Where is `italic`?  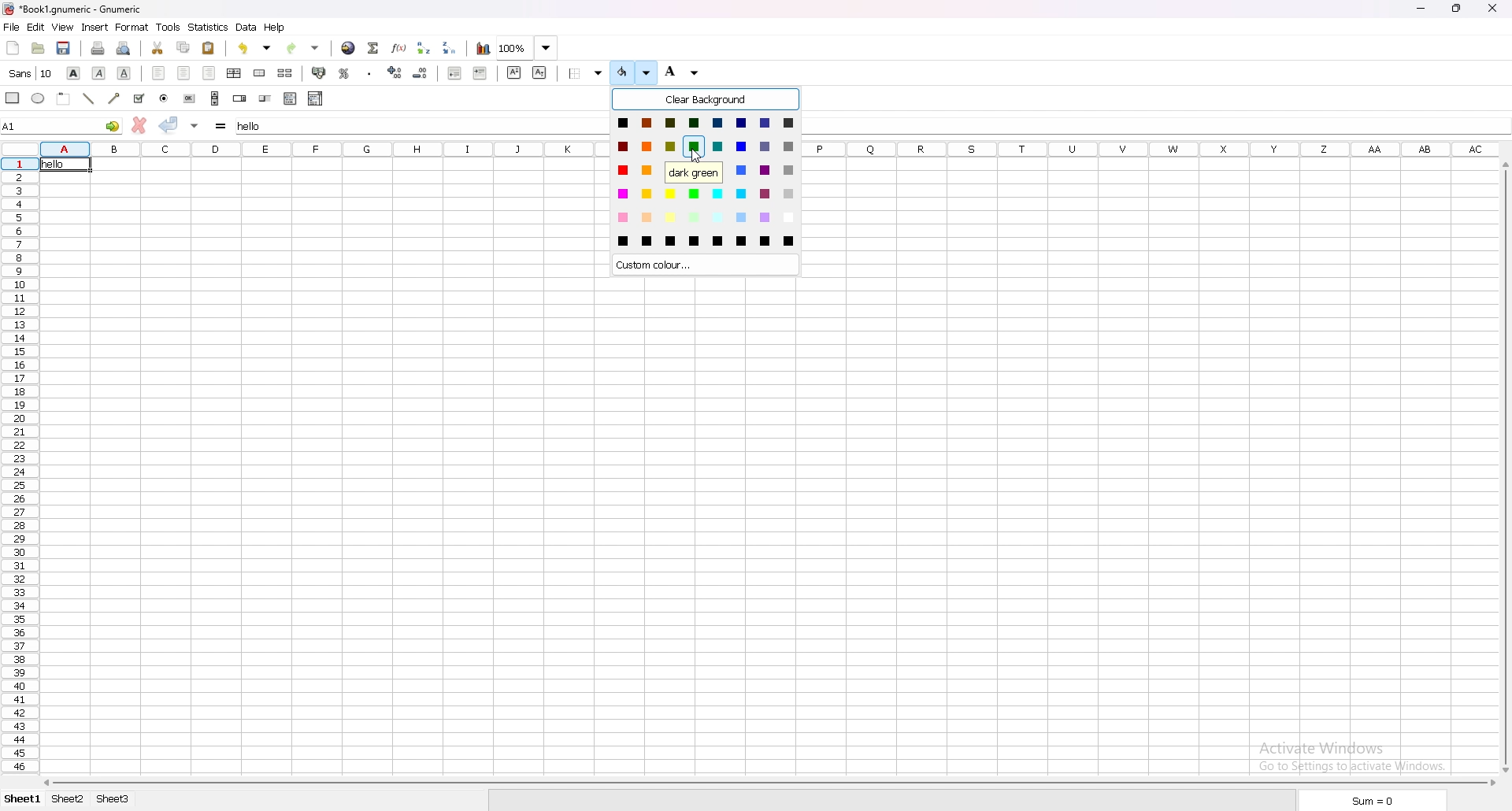
italic is located at coordinates (100, 73).